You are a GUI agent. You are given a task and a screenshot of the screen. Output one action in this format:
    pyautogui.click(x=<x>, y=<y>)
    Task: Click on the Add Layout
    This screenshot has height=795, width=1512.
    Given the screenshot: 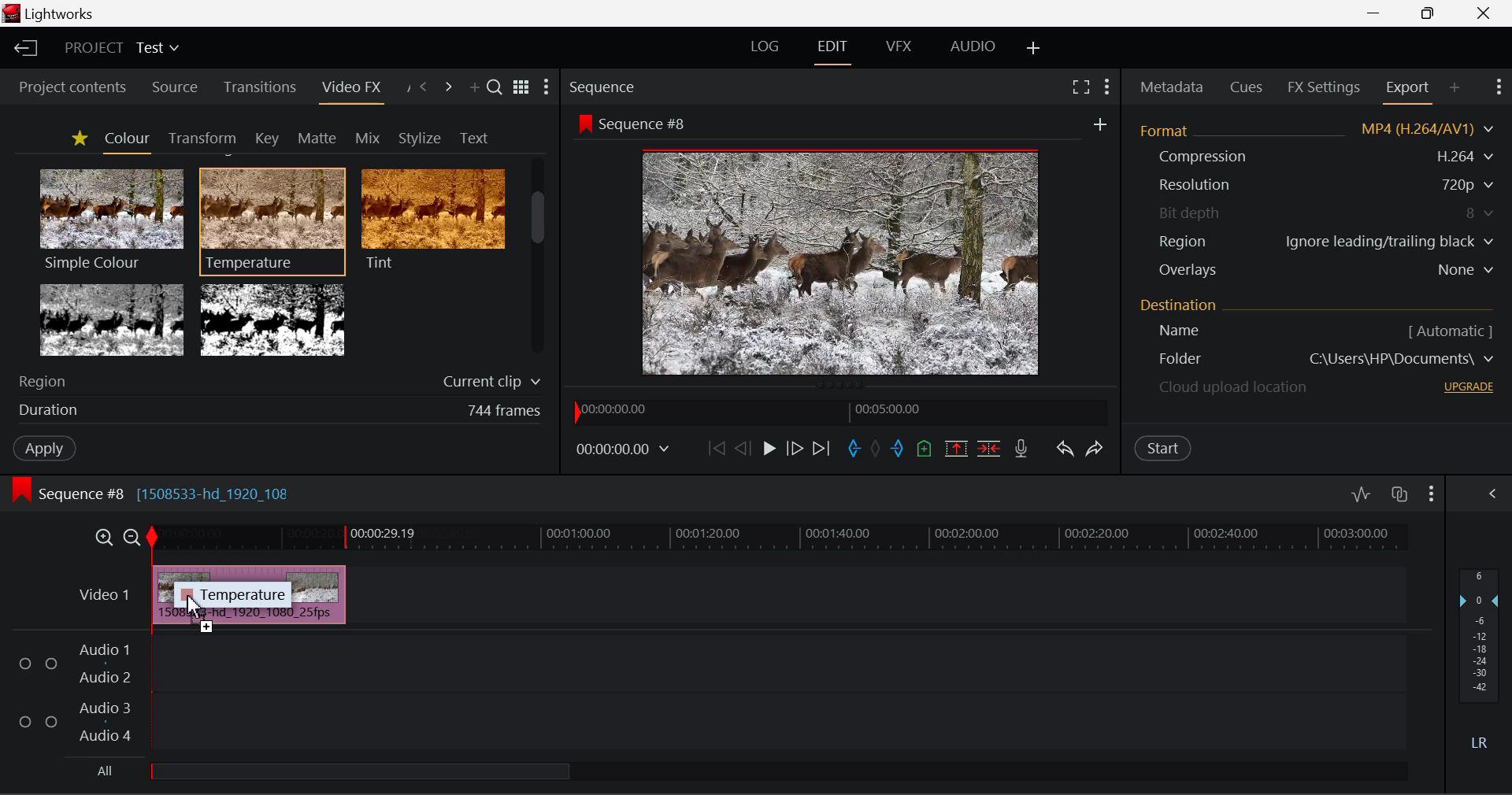 What is the action you would take?
    pyautogui.click(x=1033, y=48)
    